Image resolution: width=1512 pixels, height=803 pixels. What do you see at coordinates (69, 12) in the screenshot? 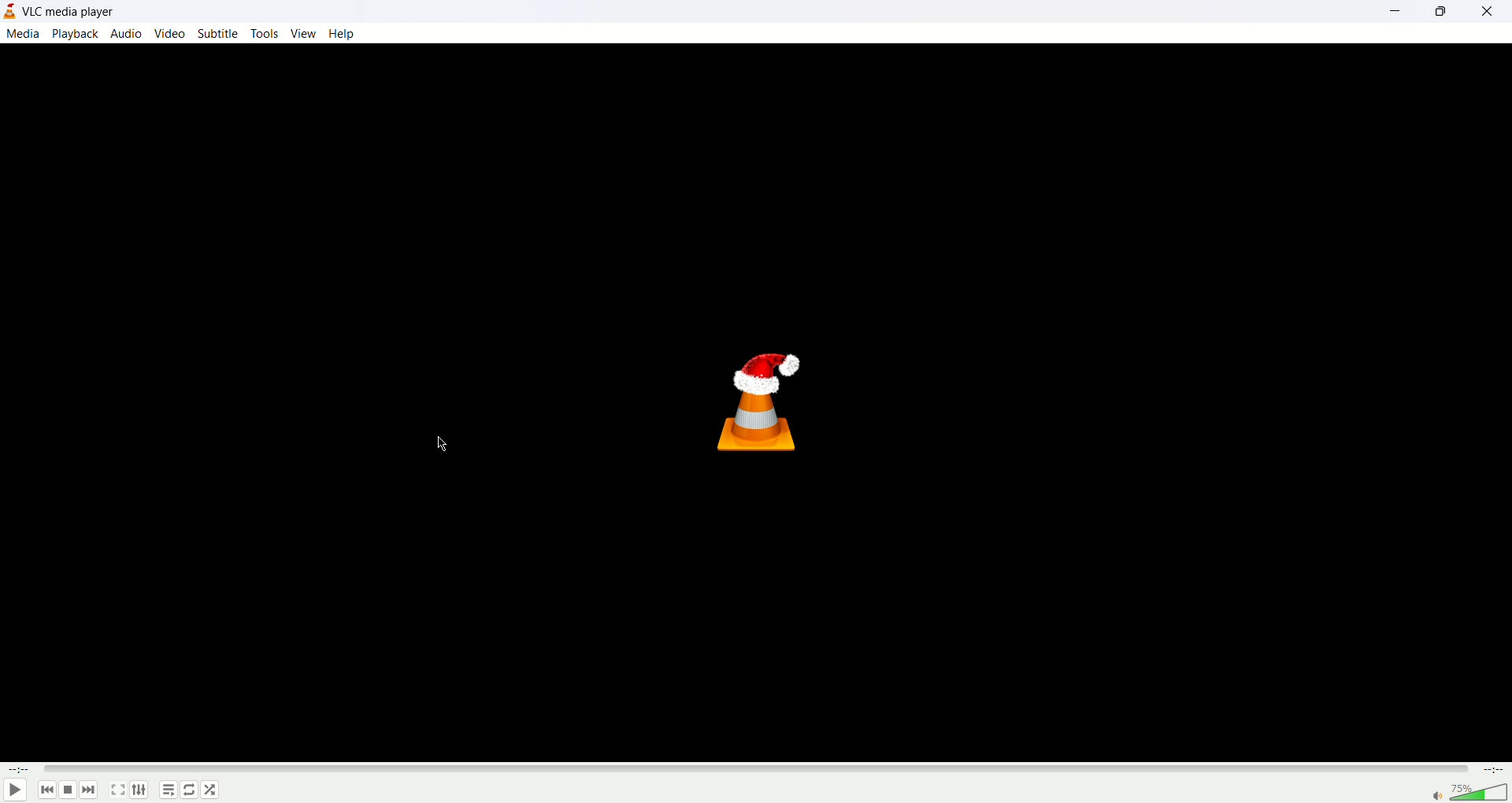
I see `VLC media player` at bounding box center [69, 12].